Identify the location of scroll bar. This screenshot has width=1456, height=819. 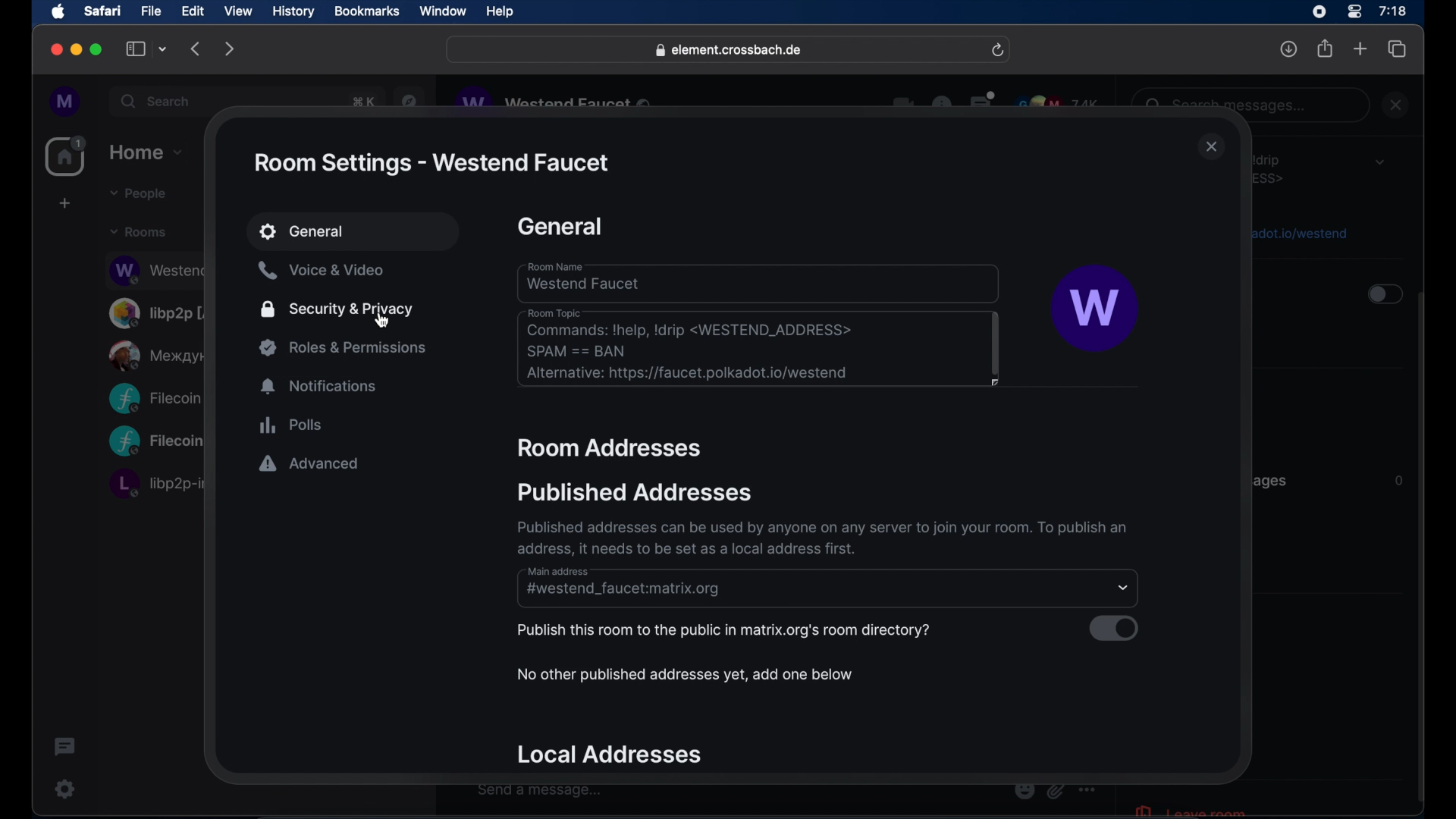
(1422, 549).